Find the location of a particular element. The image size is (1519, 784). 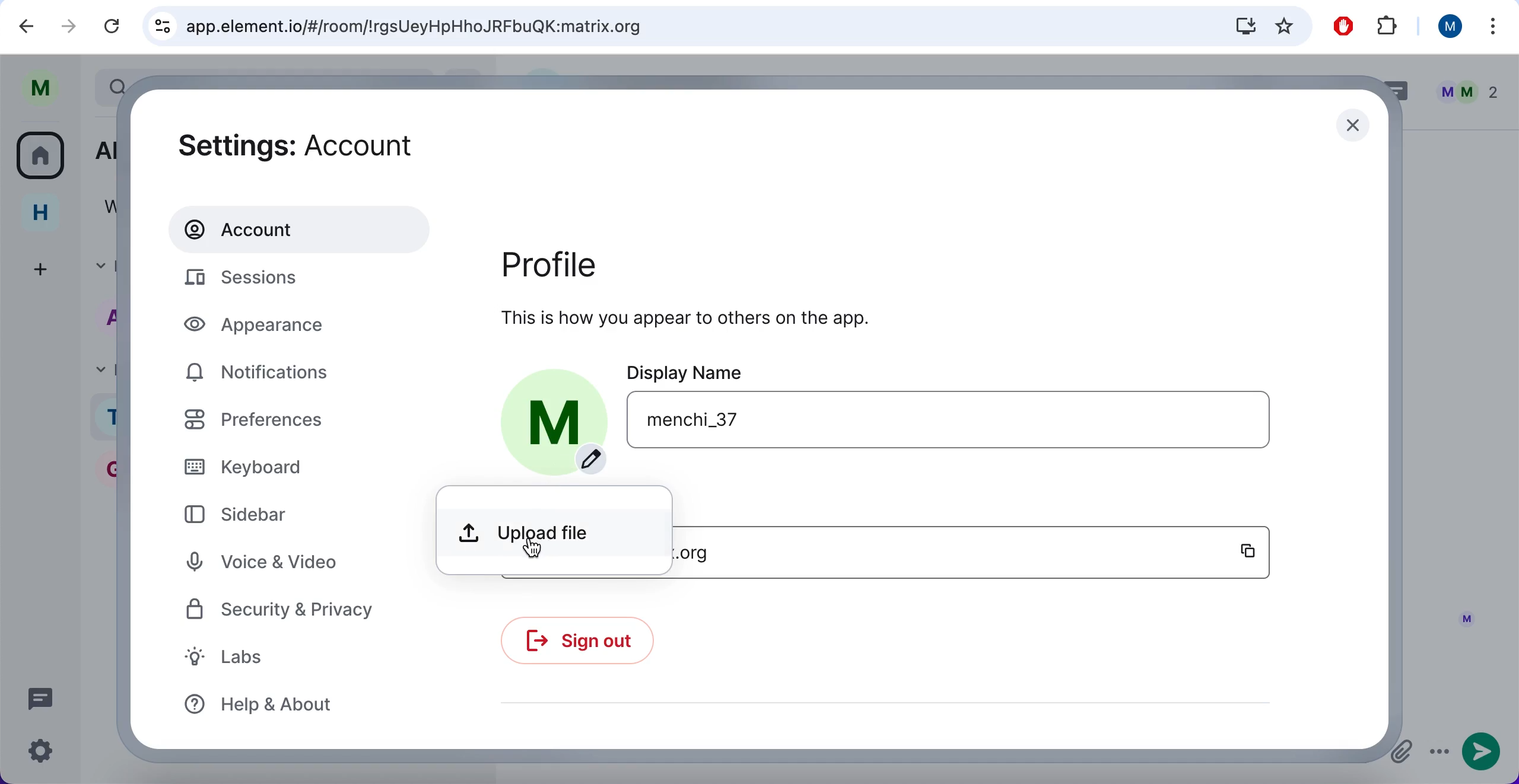

create a space is located at coordinates (38, 267).